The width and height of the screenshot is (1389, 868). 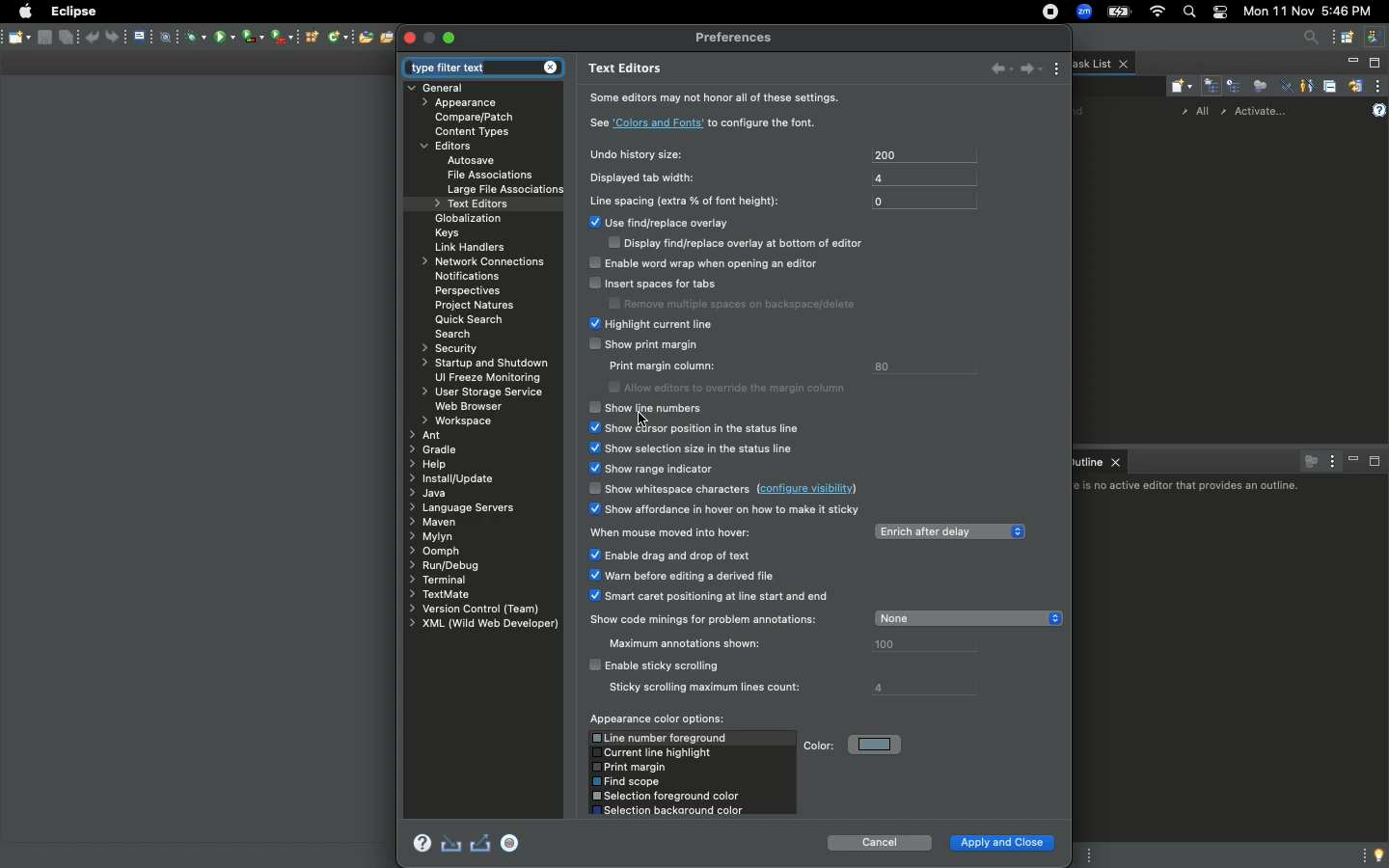 What do you see at coordinates (69, 39) in the screenshot?
I see `Save as` at bounding box center [69, 39].